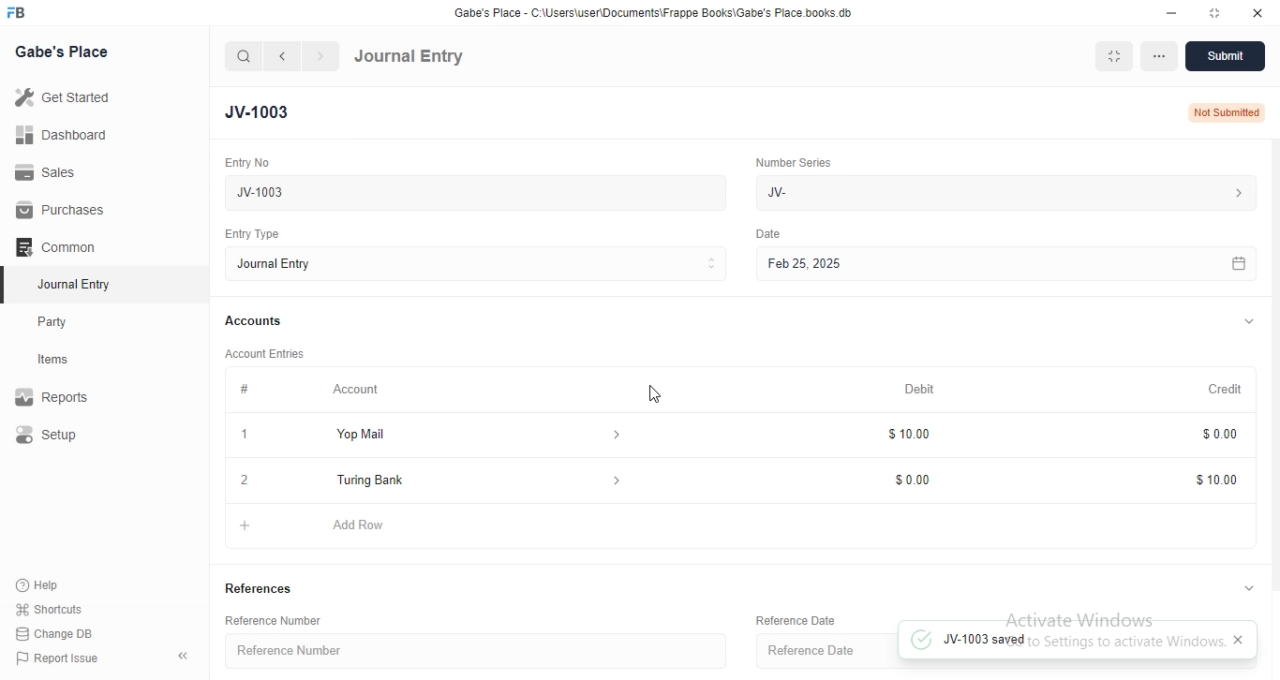 This screenshot has width=1280, height=680. I want to click on + Add Row, so click(746, 526).